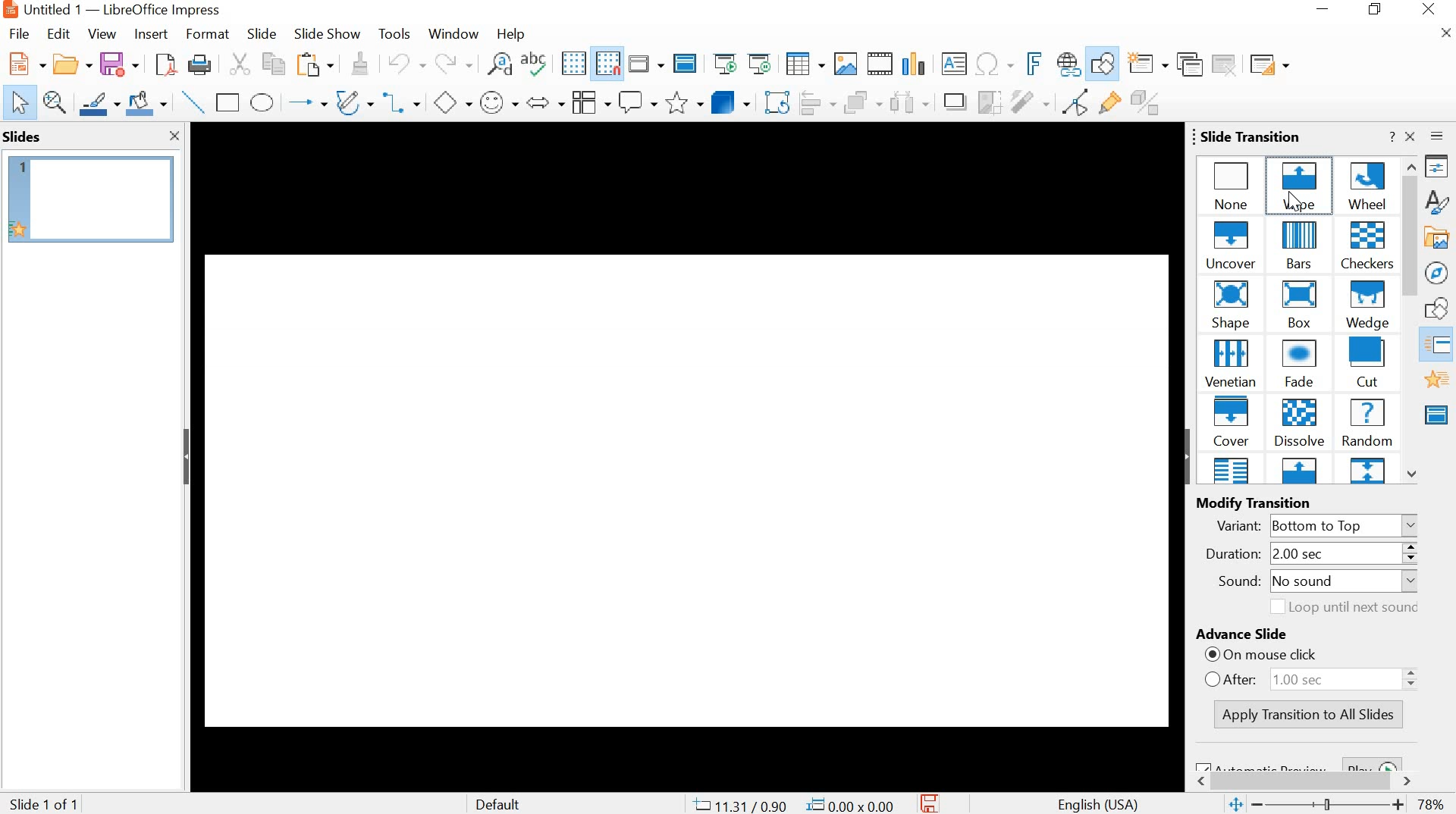 The image size is (1456, 814). Describe the element at coordinates (1230, 363) in the screenshot. I see `VENETIAN` at that location.